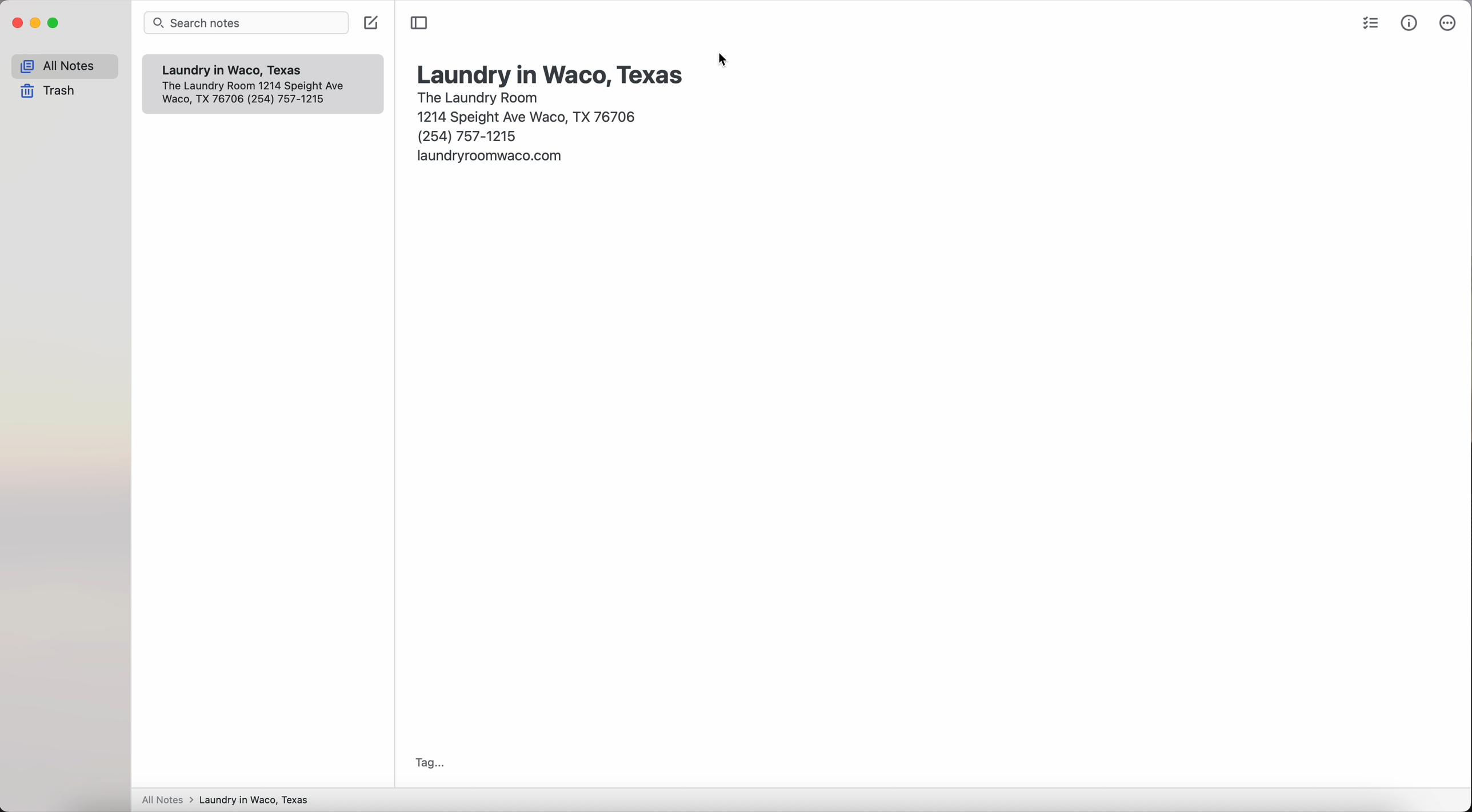 The height and width of the screenshot is (812, 1472). Describe the element at coordinates (239, 70) in the screenshot. I see `Laundry in Waco, Texas` at that location.